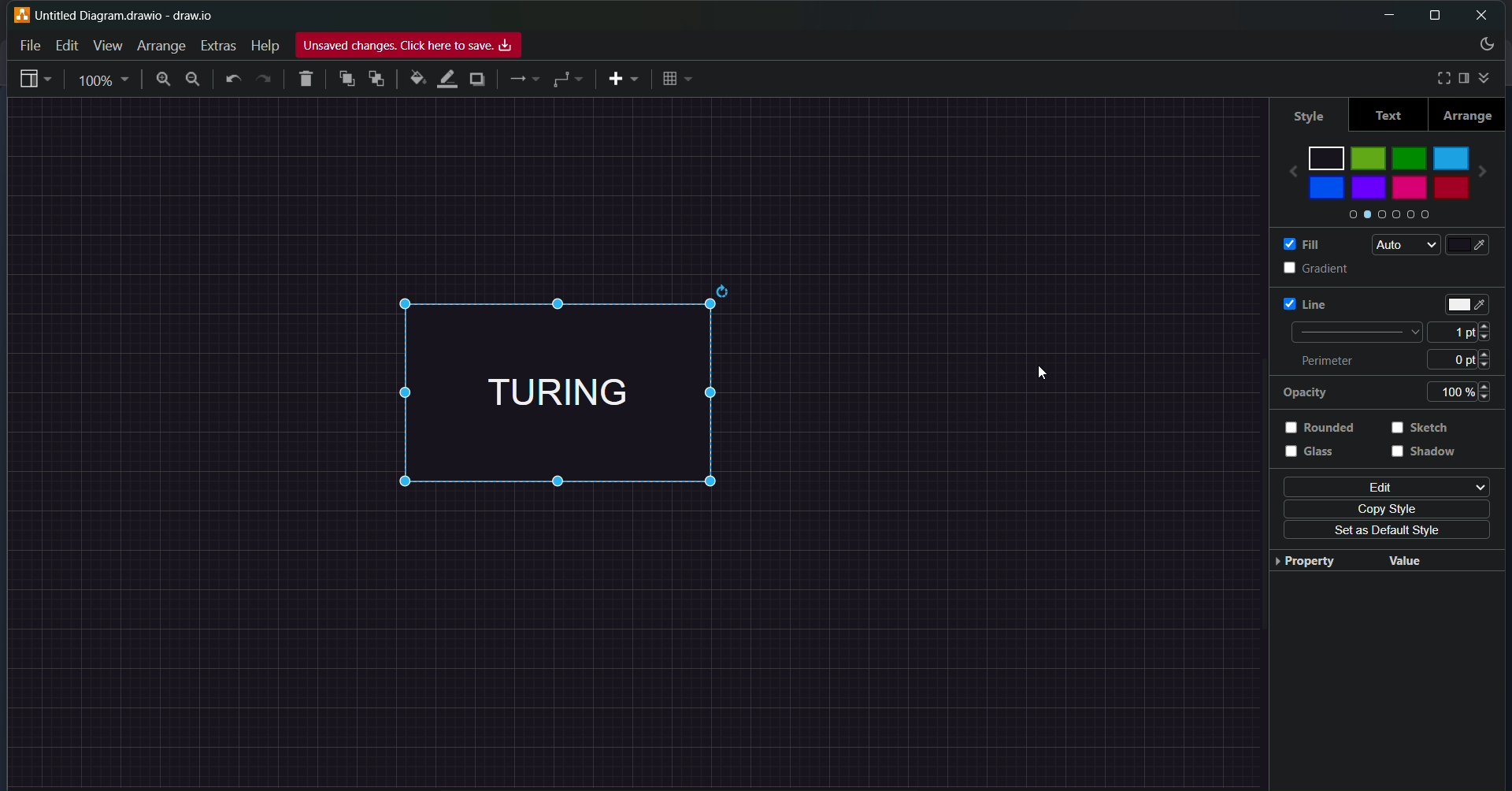 This screenshot has width=1512, height=791. I want to click on glass, so click(1320, 458).